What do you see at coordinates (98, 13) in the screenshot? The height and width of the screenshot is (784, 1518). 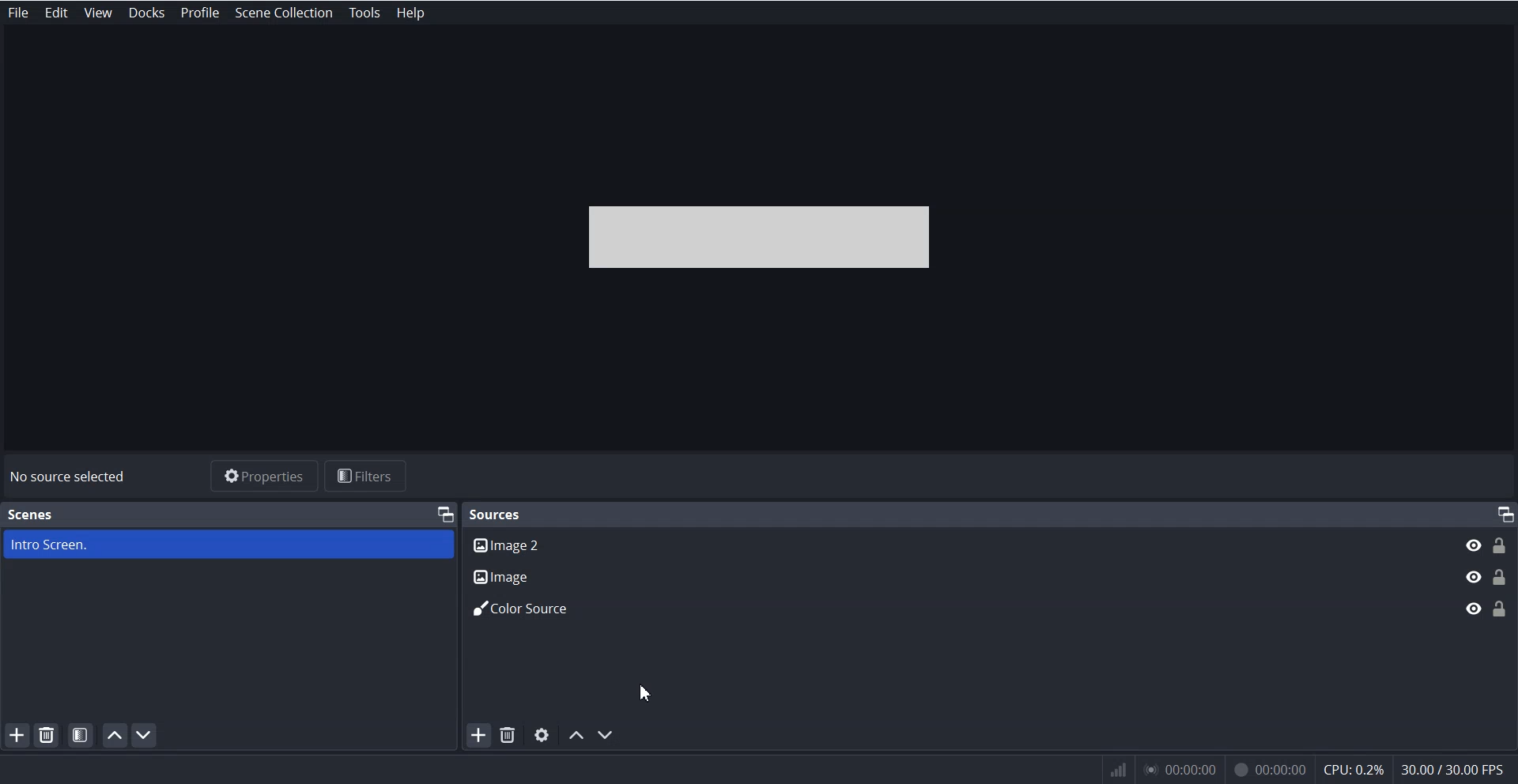 I see `View` at bounding box center [98, 13].